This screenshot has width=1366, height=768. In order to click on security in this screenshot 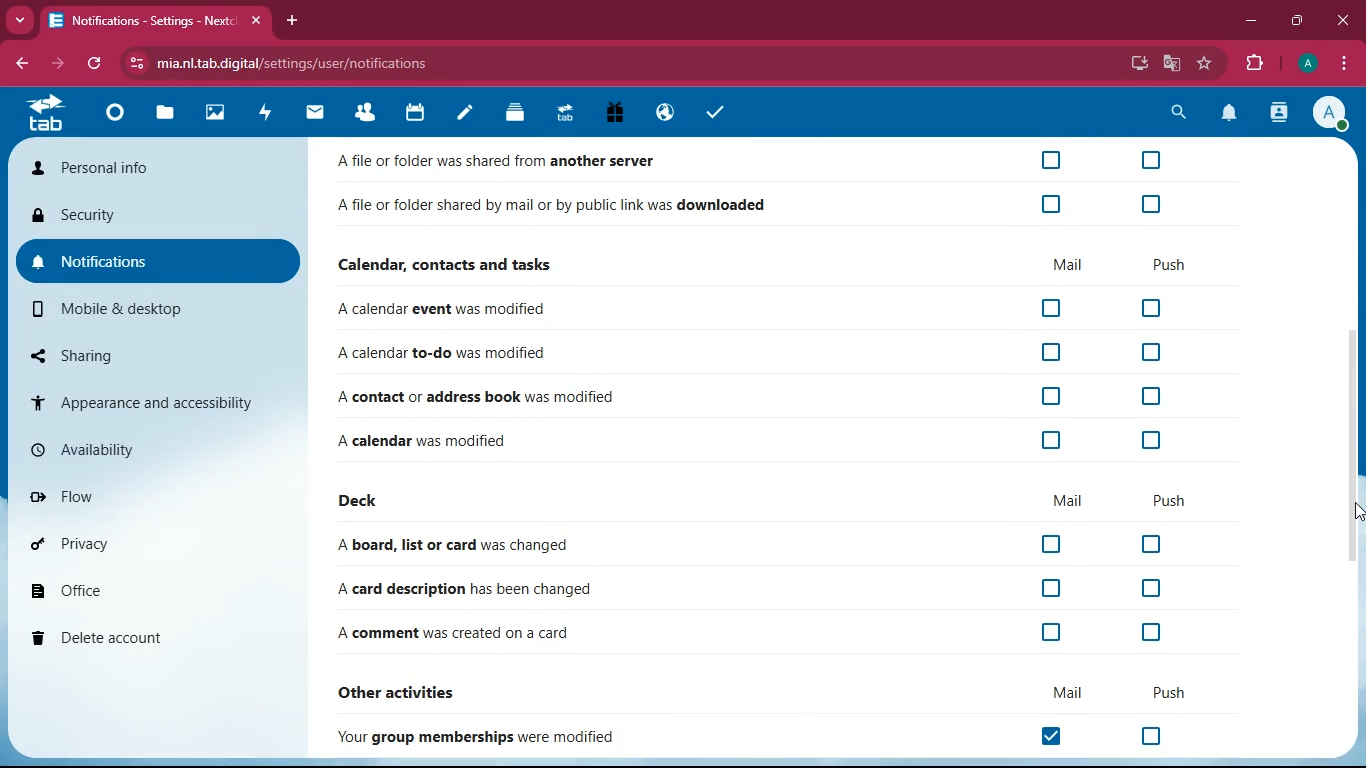, I will do `click(160, 219)`.